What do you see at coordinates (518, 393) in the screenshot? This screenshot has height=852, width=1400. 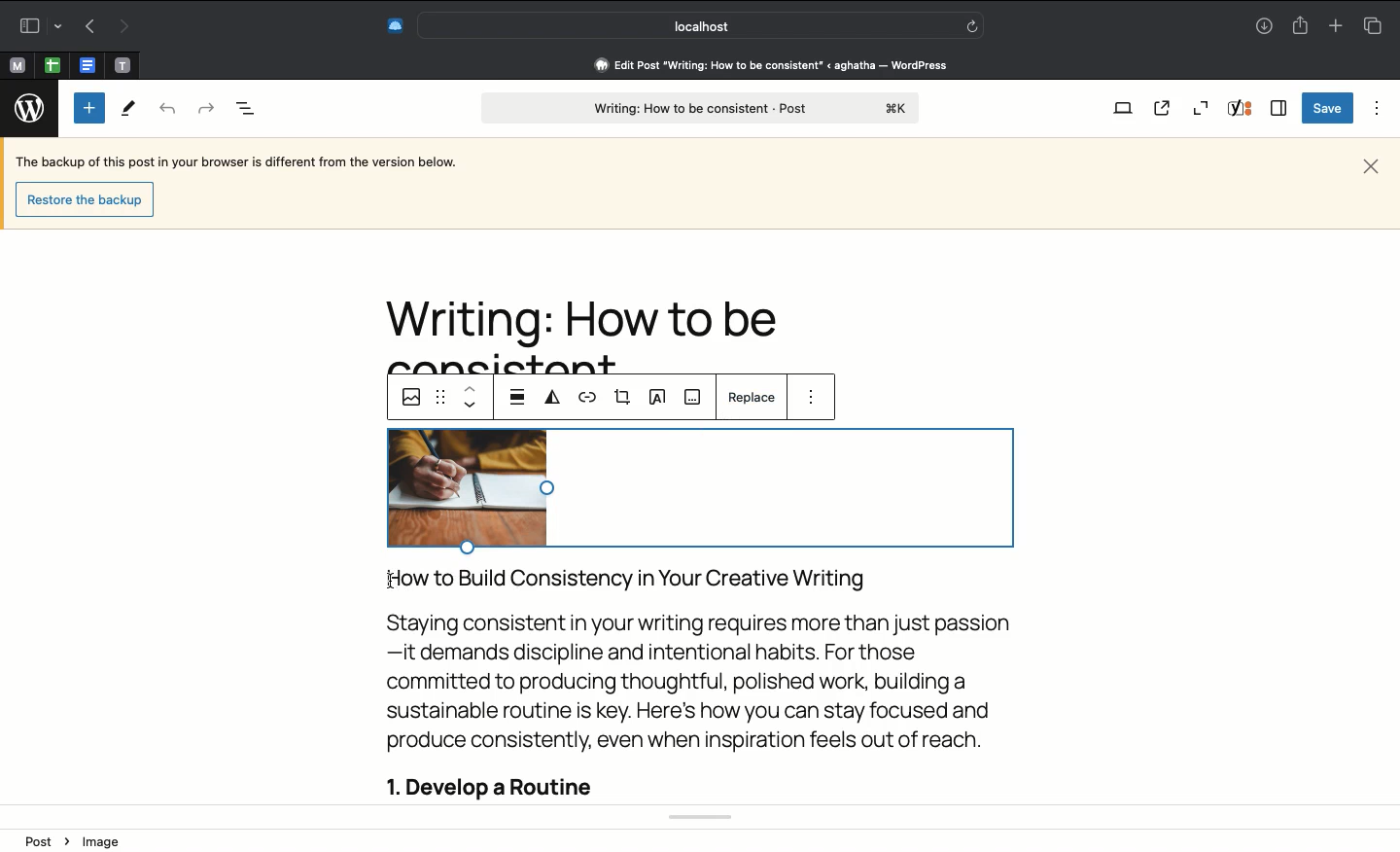 I see `Align` at bounding box center [518, 393].